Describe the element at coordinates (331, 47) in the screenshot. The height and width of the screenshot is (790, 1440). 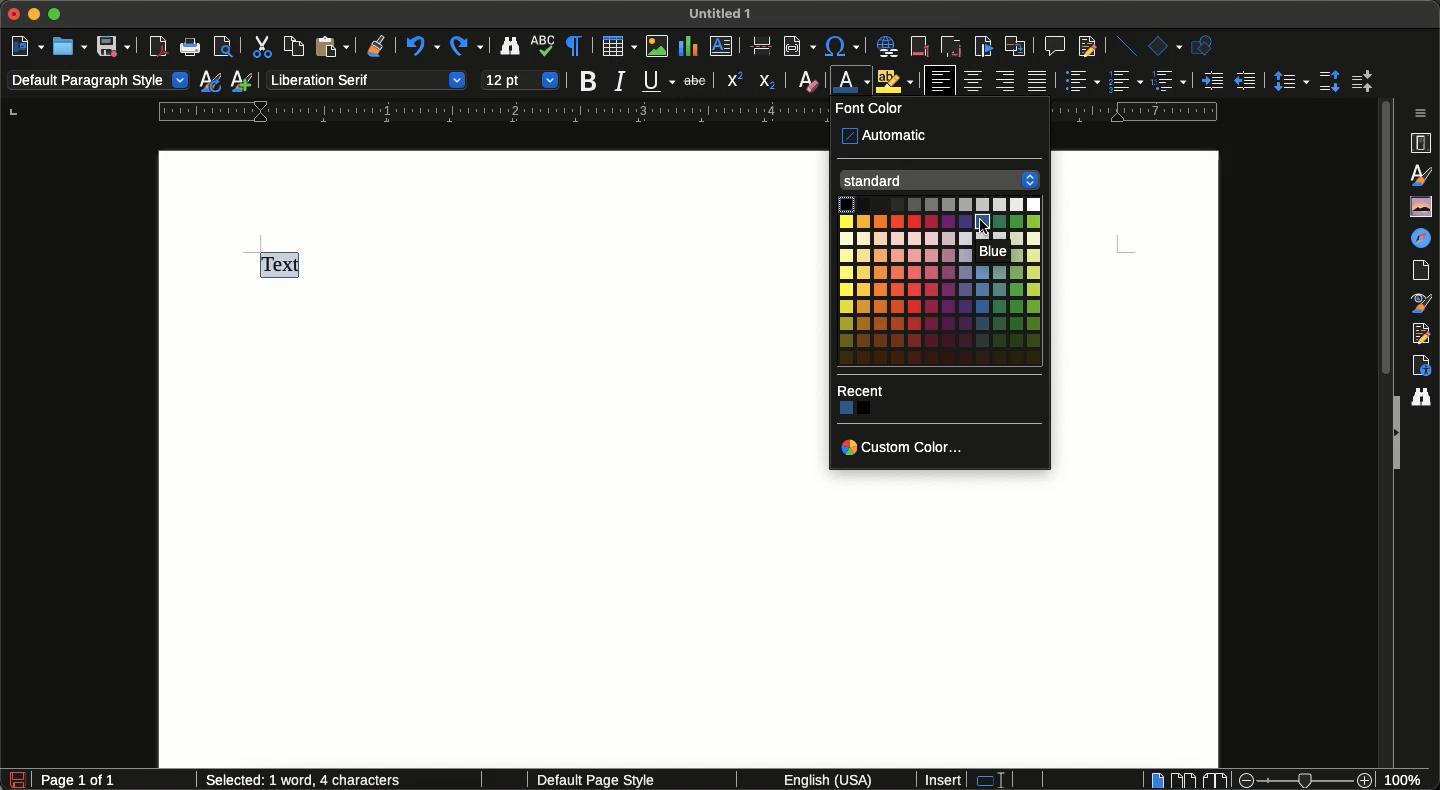
I see `Paste` at that location.